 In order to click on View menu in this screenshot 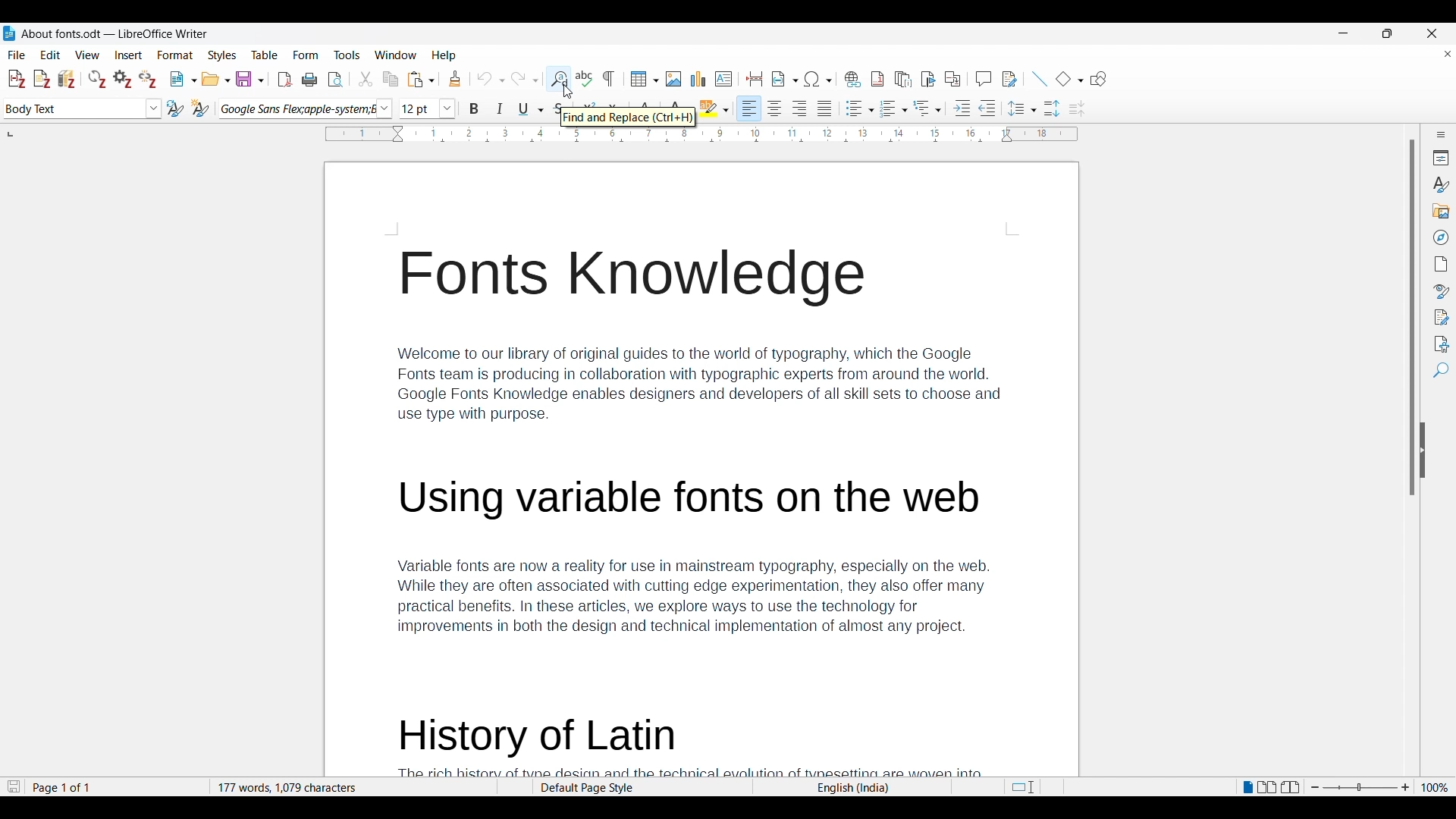, I will do `click(88, 55)`.